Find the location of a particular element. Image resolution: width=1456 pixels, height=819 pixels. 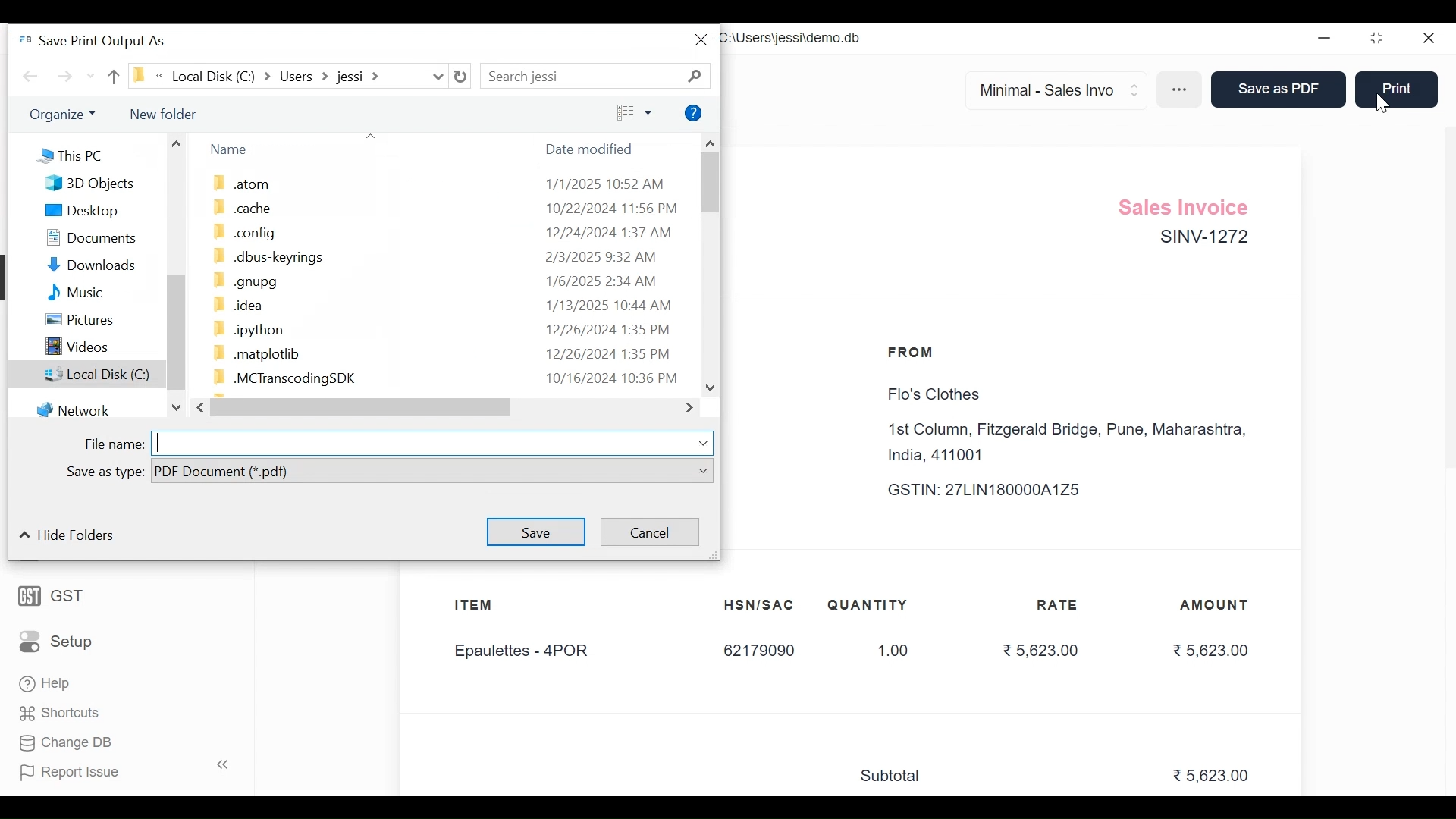

Expand is located at coordinates (438, 77).